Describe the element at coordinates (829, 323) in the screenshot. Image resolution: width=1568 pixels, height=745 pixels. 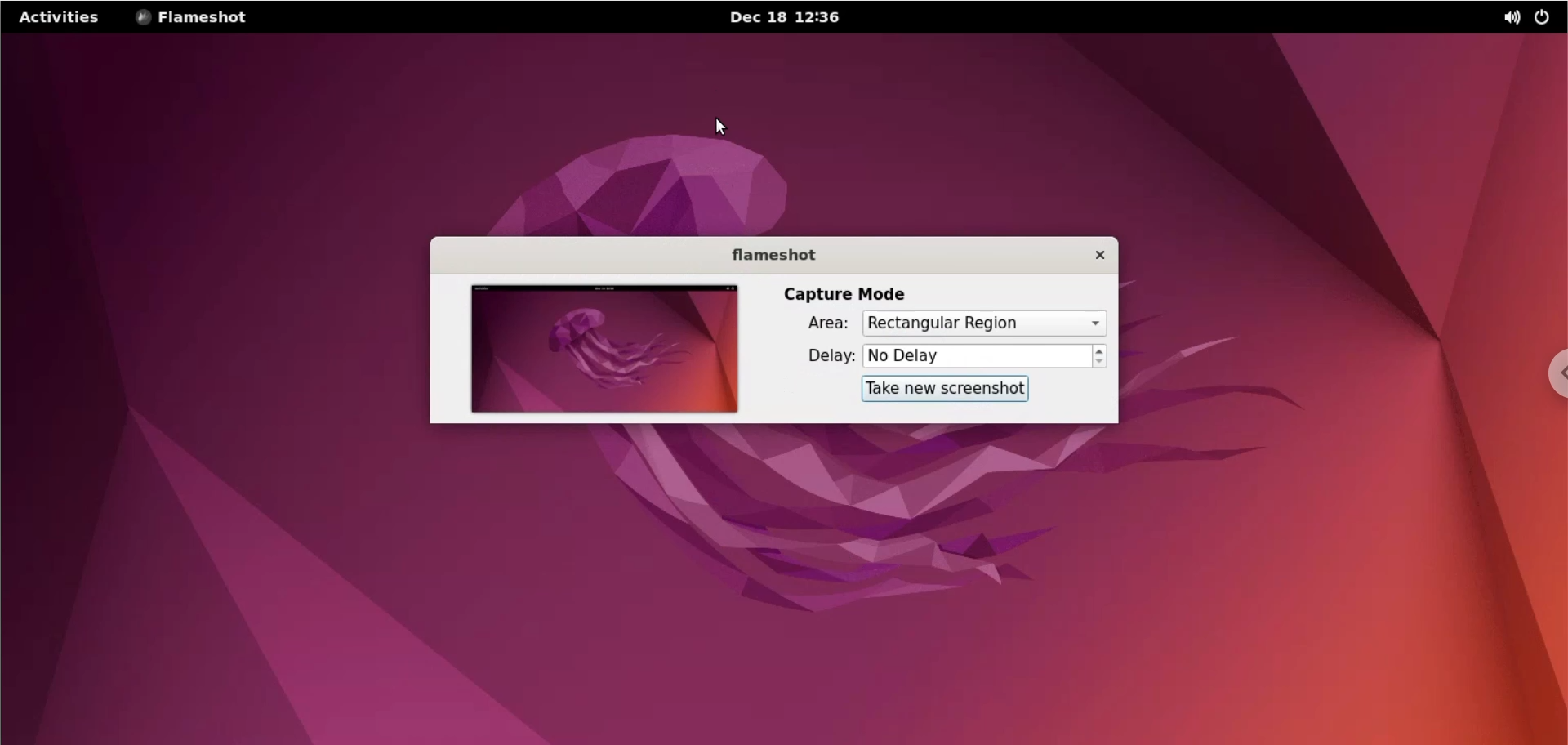
I see `screenshot area label` at that location.